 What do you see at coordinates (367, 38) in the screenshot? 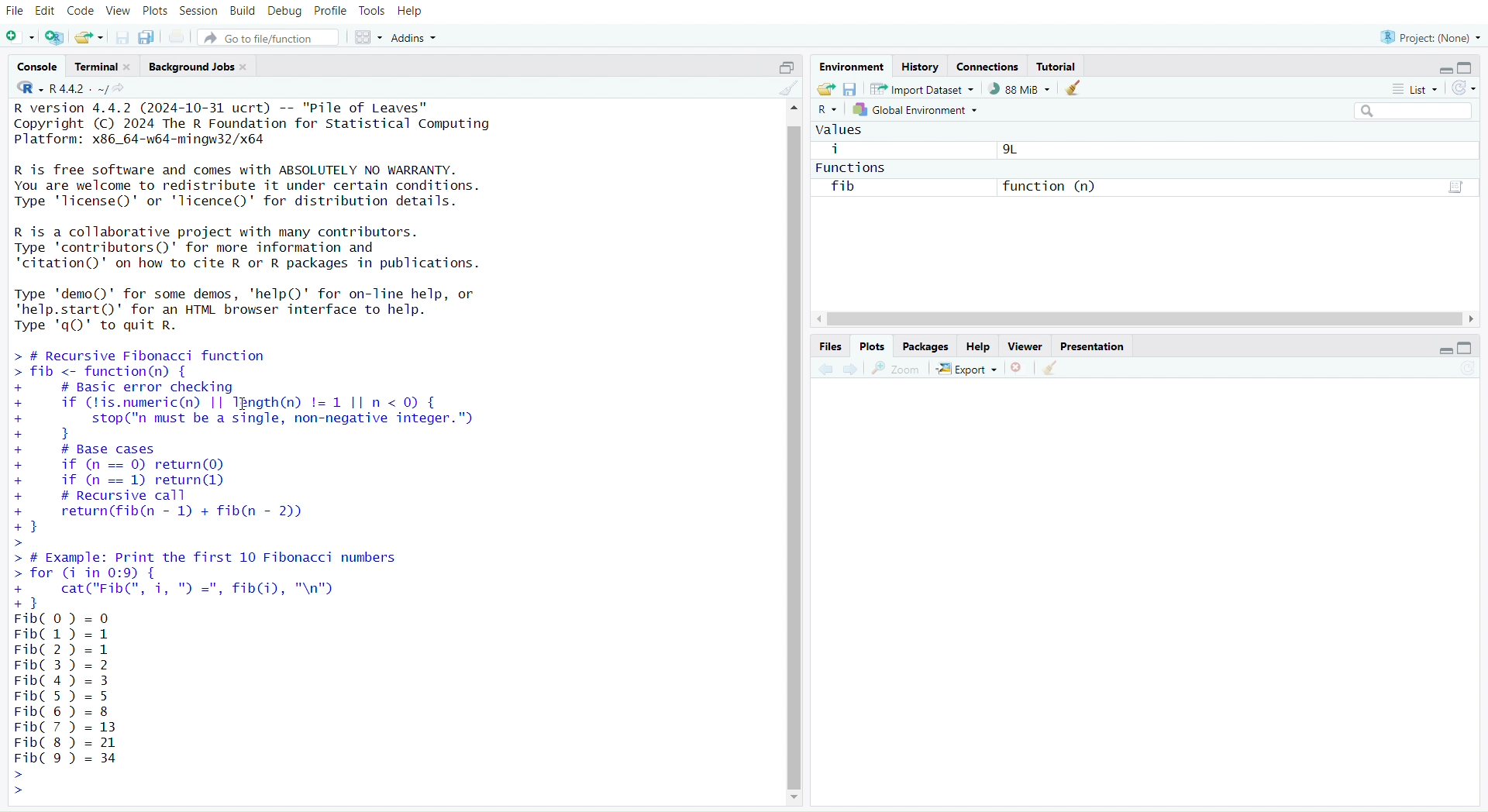
I see `workspace panes` at bounding box center [367, 38].